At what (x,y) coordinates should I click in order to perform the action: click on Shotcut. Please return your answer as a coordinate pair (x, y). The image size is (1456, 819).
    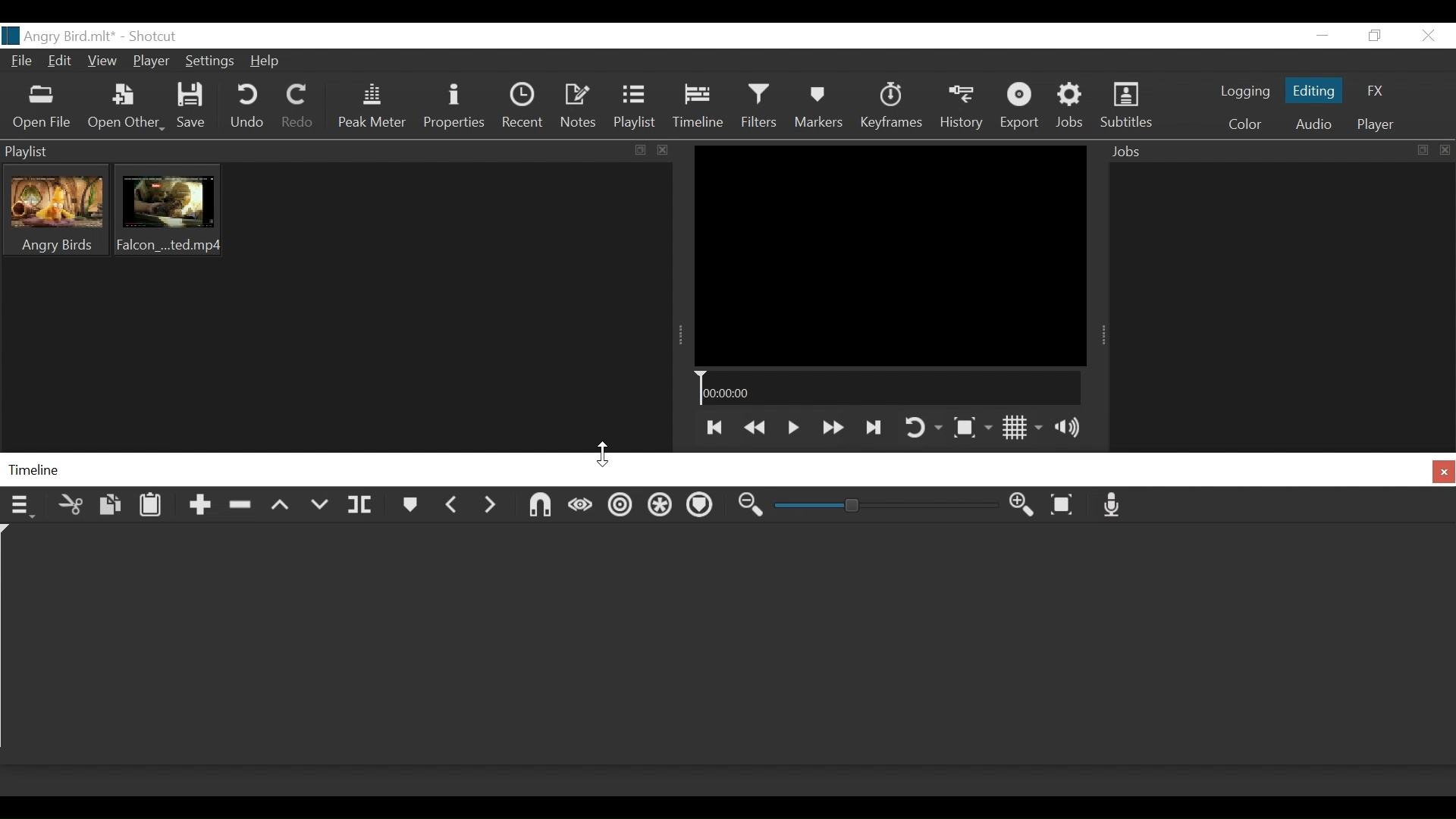
    Looking at the image, I should click on (151, 36).